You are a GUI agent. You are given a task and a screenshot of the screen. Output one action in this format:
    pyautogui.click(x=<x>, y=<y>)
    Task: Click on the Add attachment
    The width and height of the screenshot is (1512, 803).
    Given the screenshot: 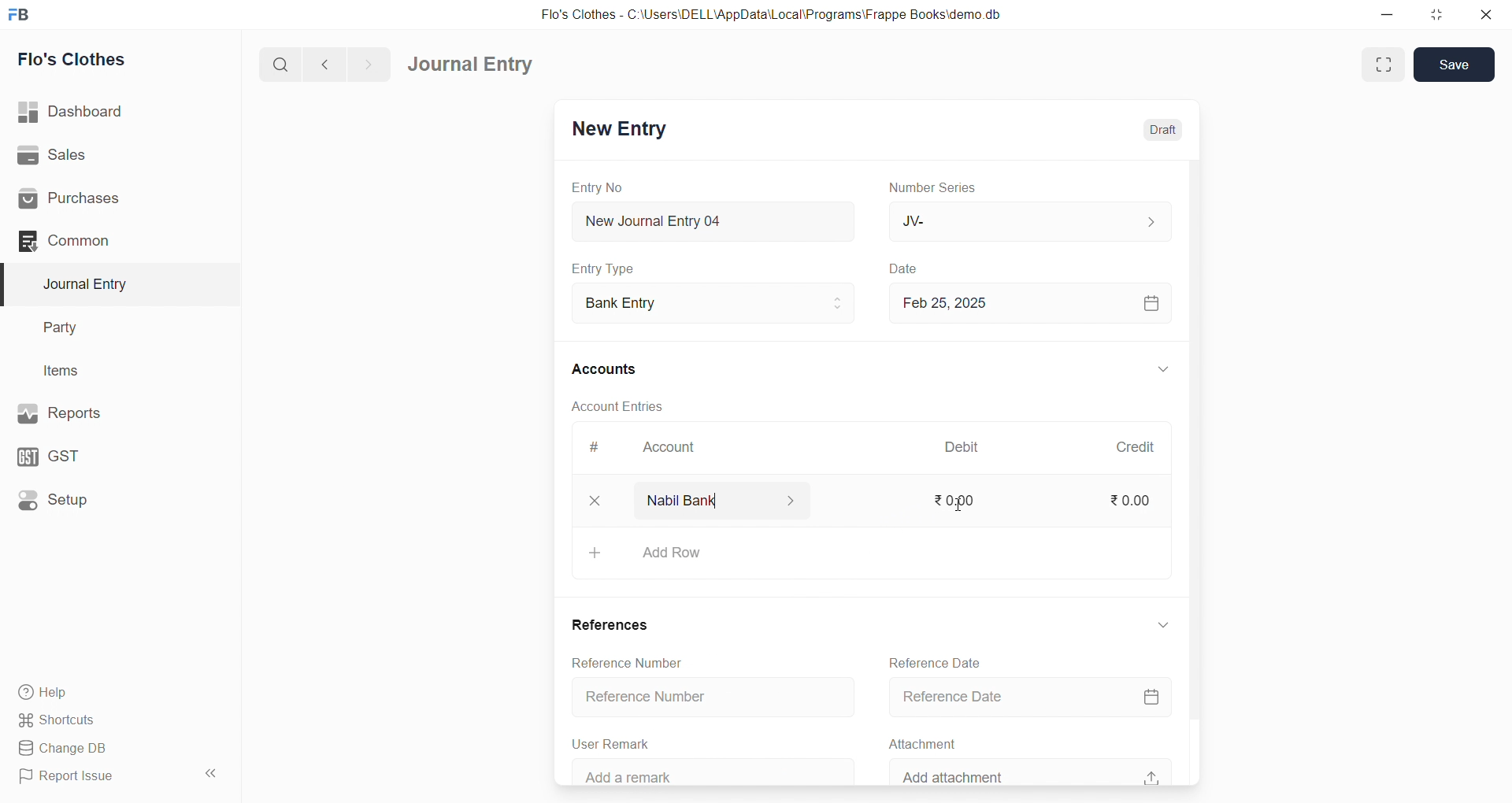 What is the action you would take?
    pyautogui.click(x=1027, y=770)
    